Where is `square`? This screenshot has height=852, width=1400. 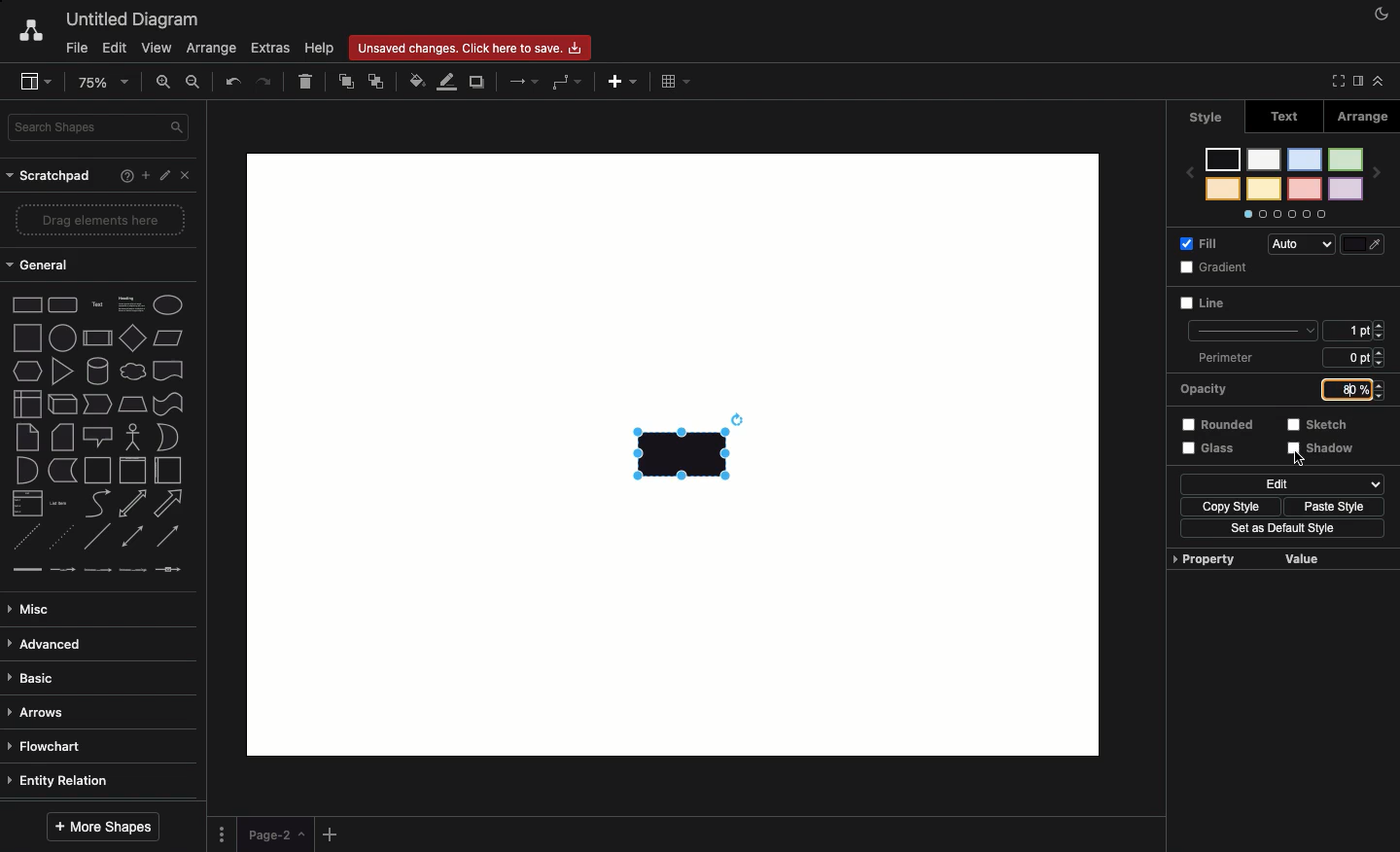
square is located at coordinates (29, 337).